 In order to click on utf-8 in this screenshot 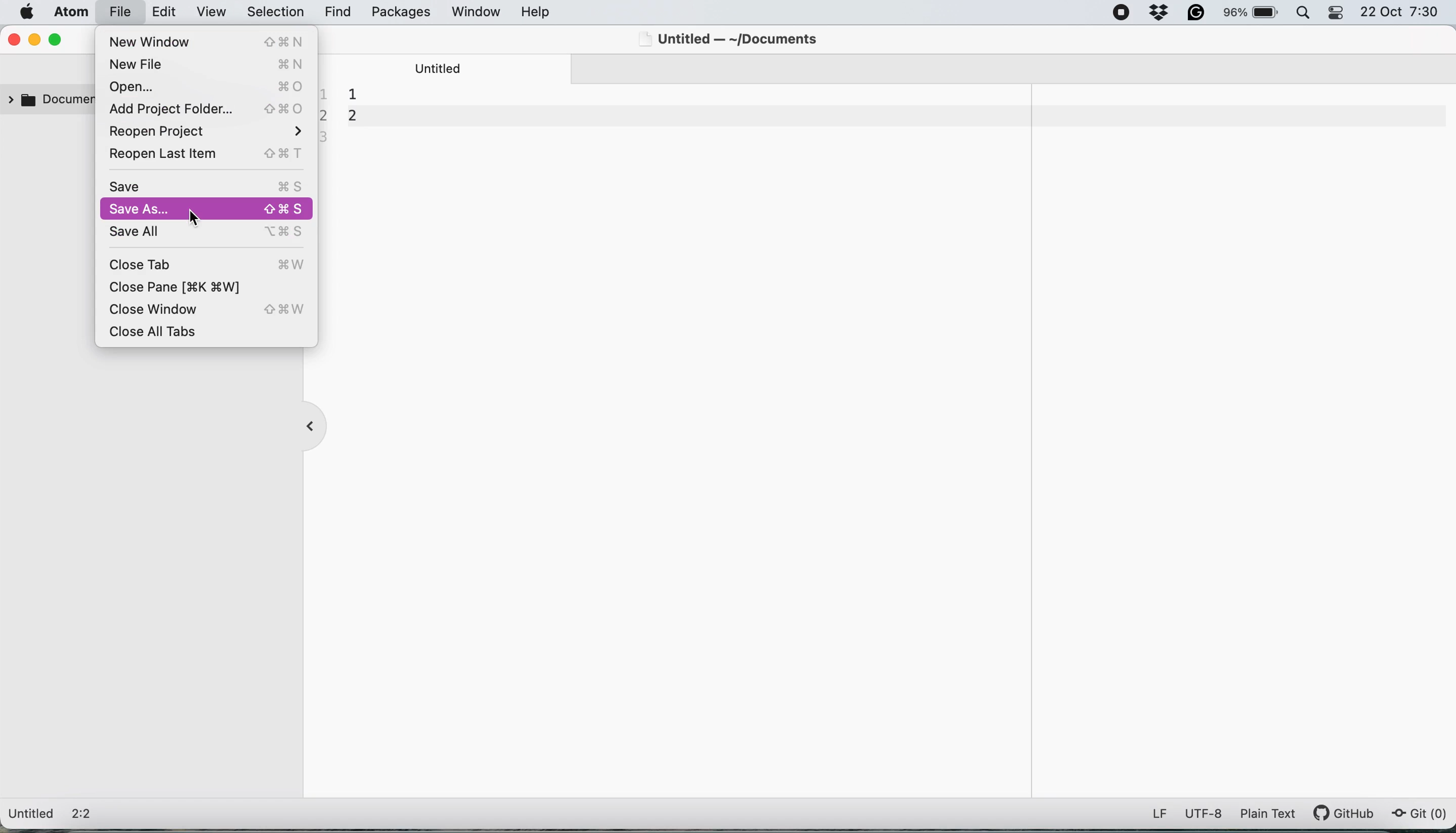, I will do `click(1203, 814)`.